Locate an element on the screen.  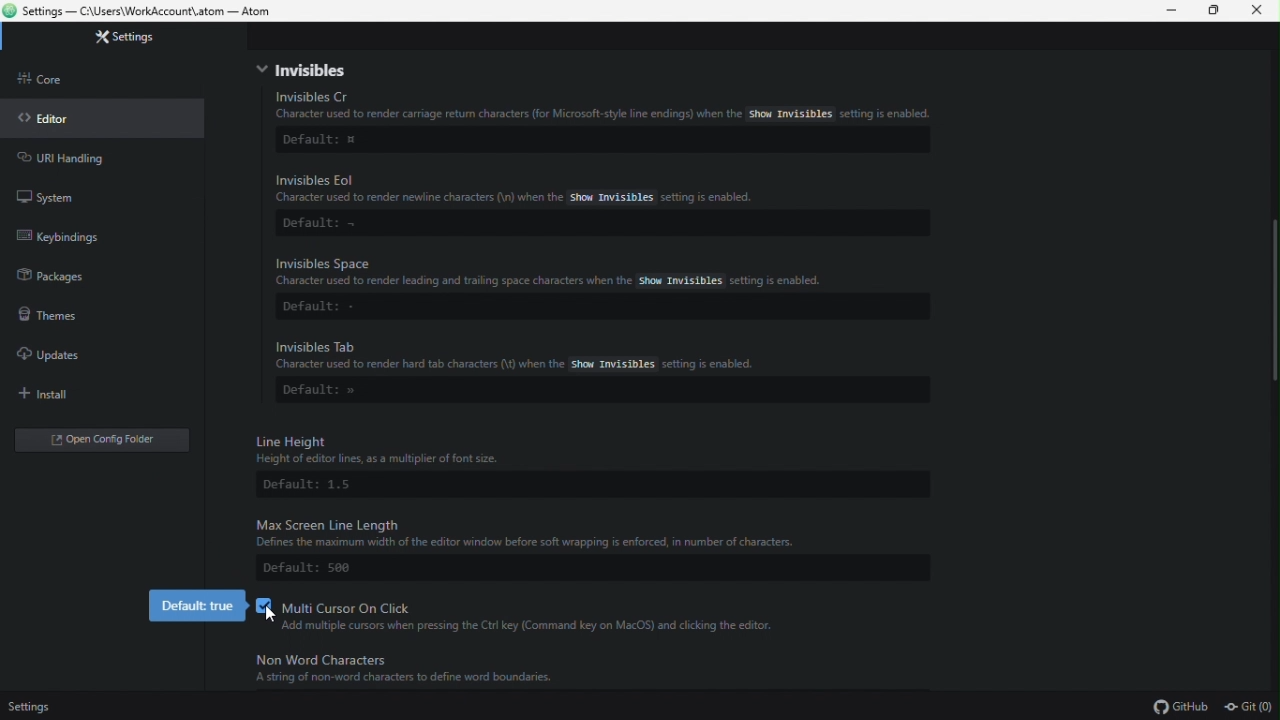
cursor is located at coordinates (267, 610).